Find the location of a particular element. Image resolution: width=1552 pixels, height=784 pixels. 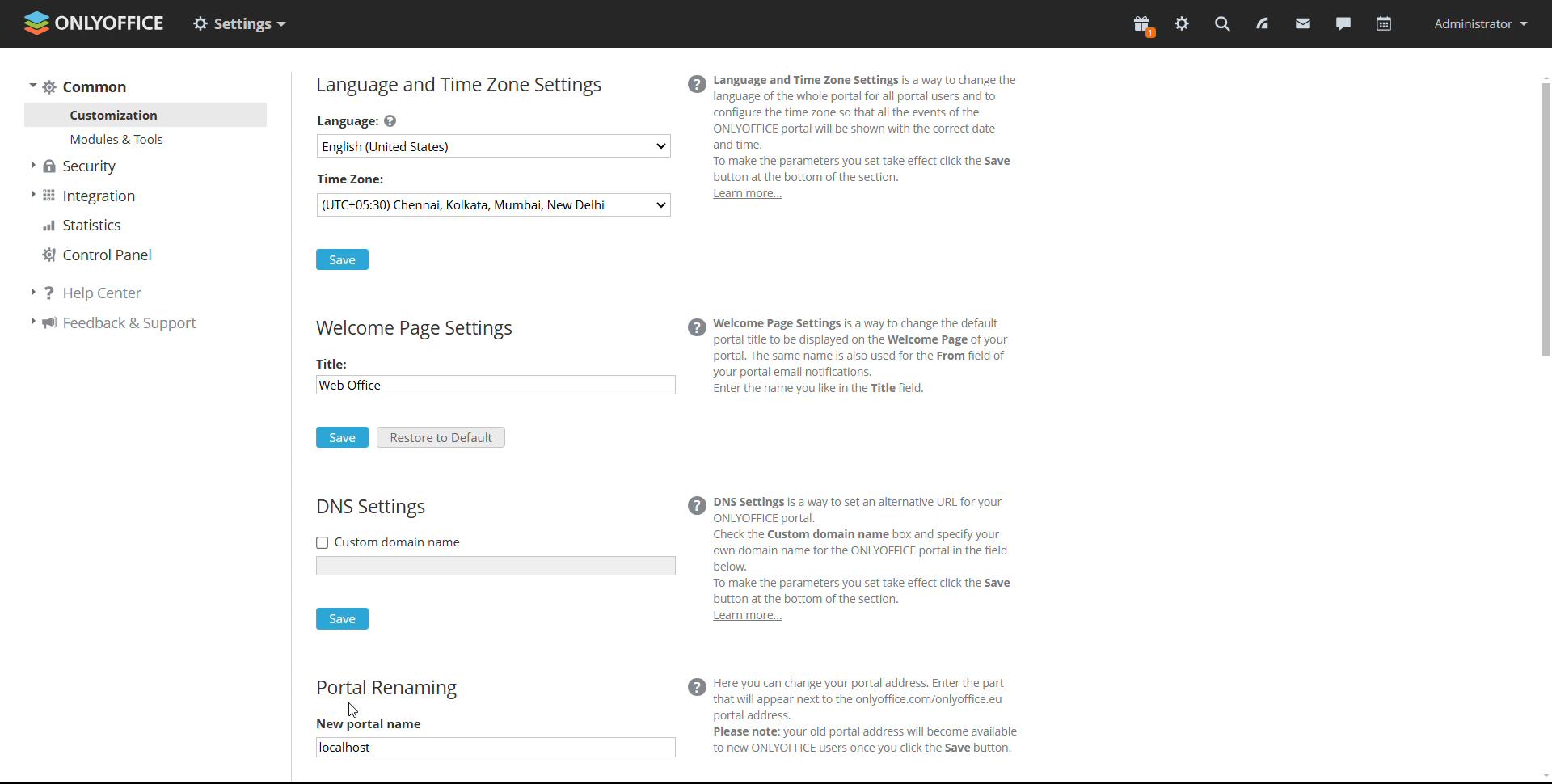

@ Here you can change your portal address. Enter the part
that will appear next to the onlyoffice.com/onlyoffice.eu
portal address.

Please note: your old portal address will become available
] to new ONLYOFFICE users once you lick the Save button. is located at coordinates (880, 714).